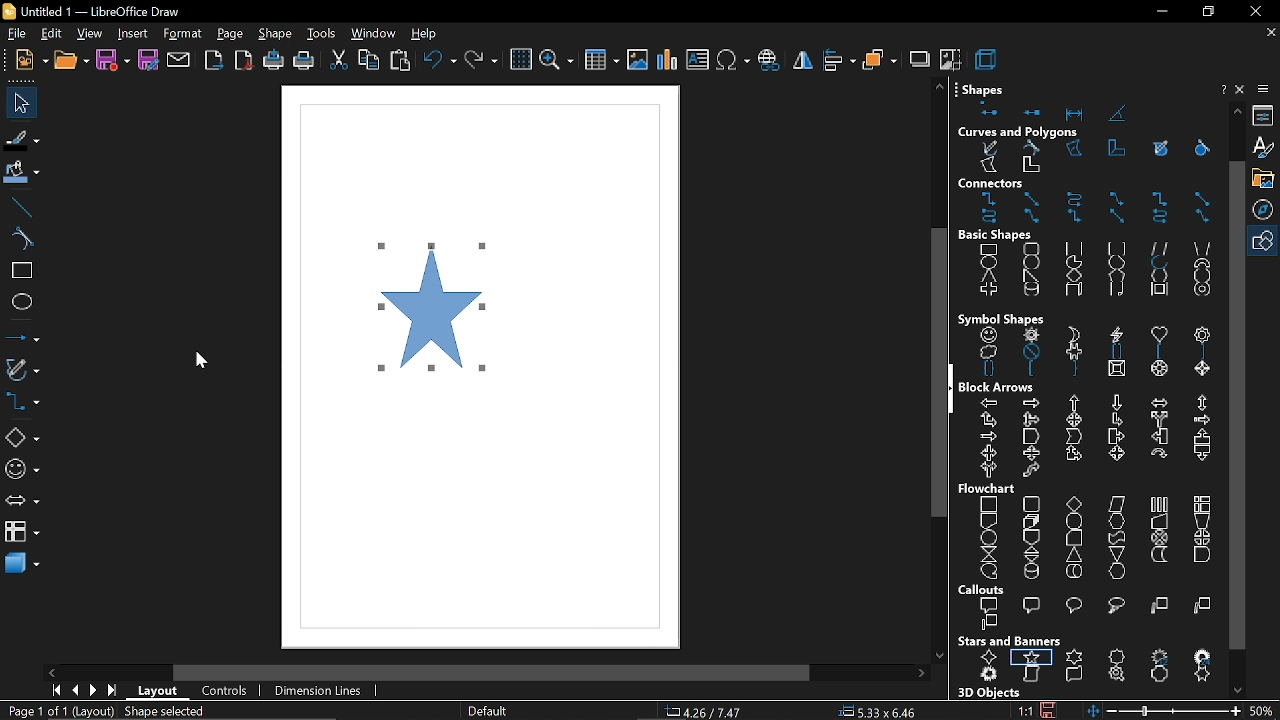  Describe the element at coordinates (303, 62) in the screenshot. I see `print` at that location.